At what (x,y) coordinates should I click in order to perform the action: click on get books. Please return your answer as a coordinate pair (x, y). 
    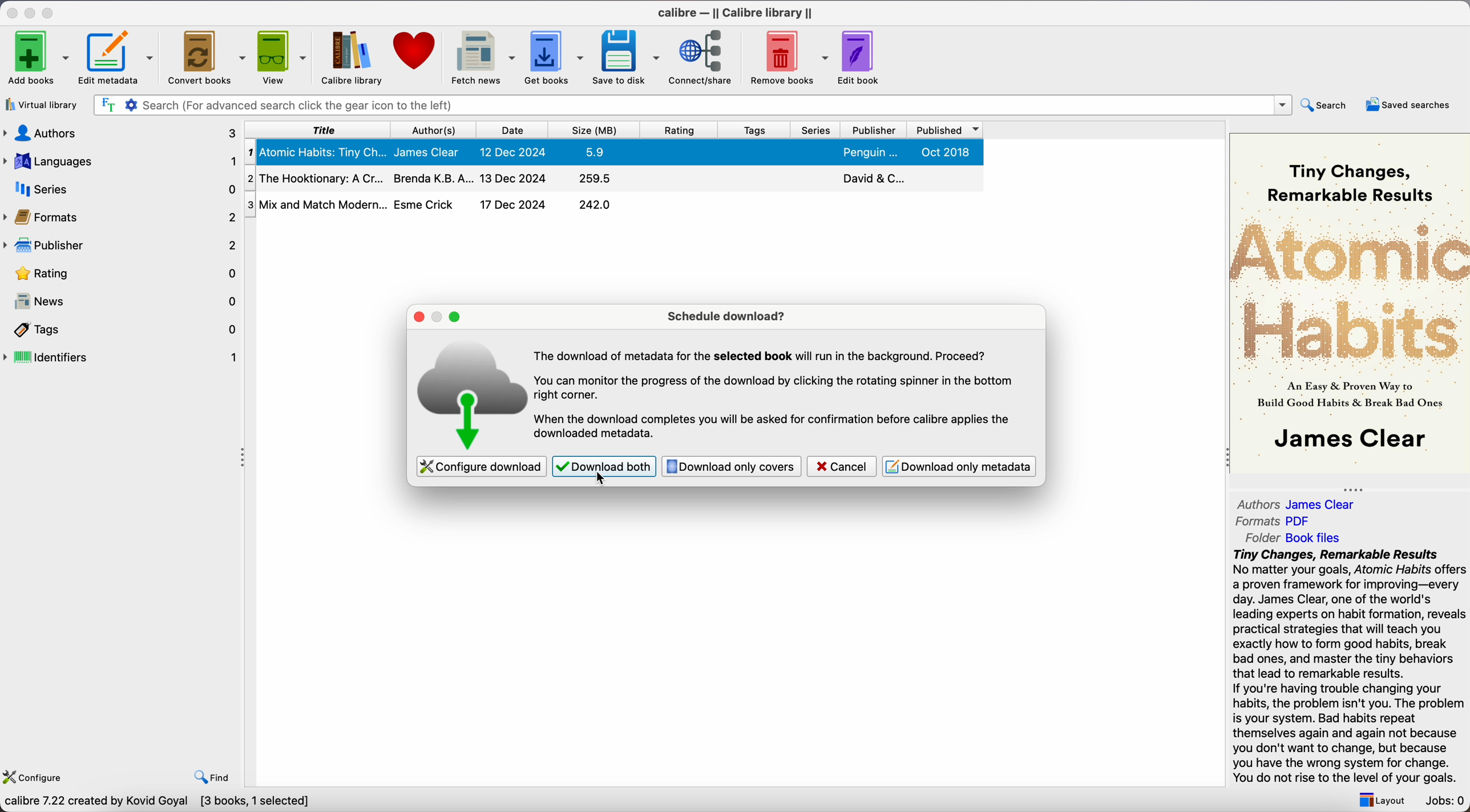
    Looking at the image, I should click on (555, 58).